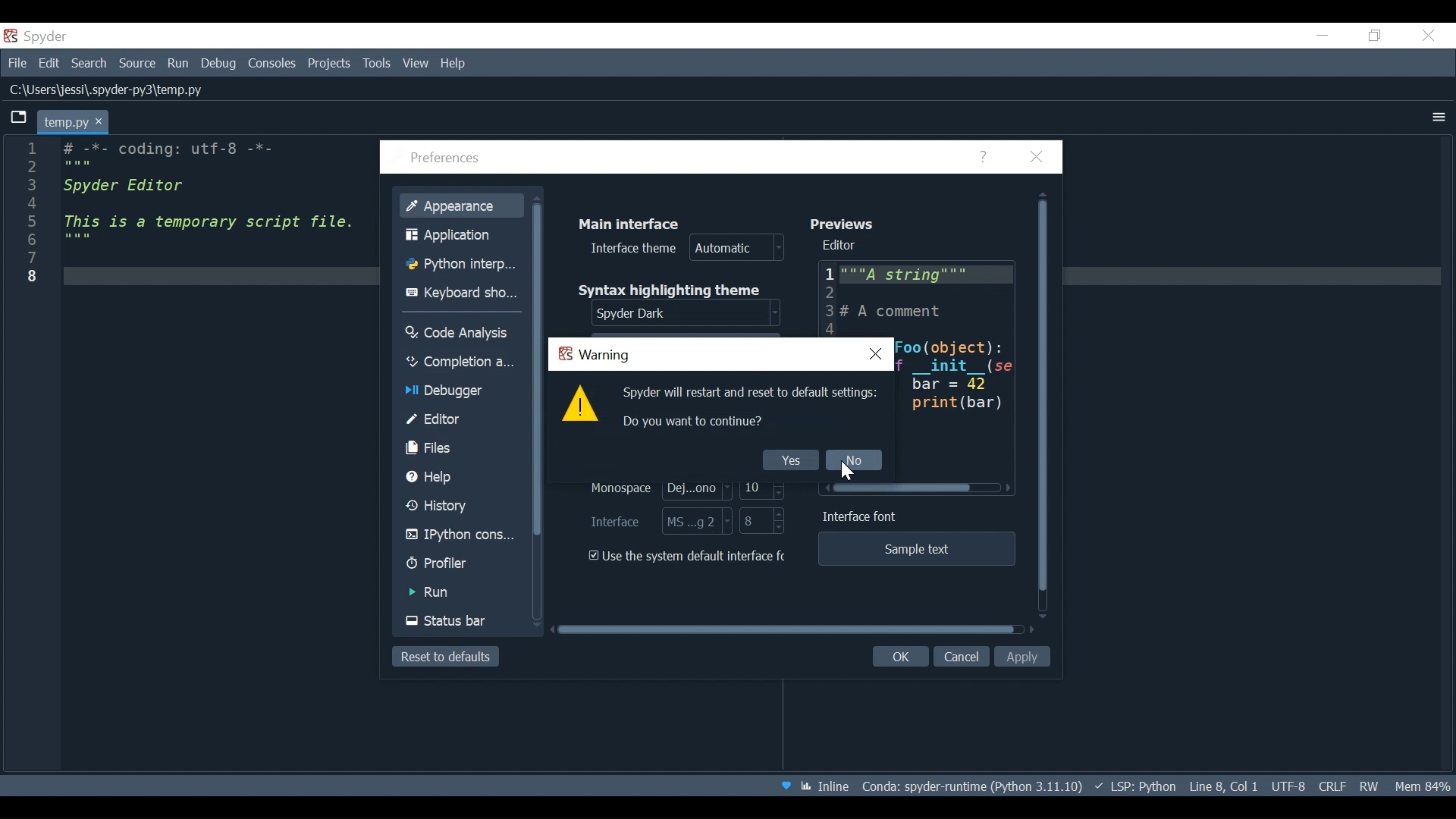 The width and height of the screenshot is (1456, 819). Describe the element at coordinates (1044, 406) in the screenshot. I see `Vertical Scroll bar` at that location.